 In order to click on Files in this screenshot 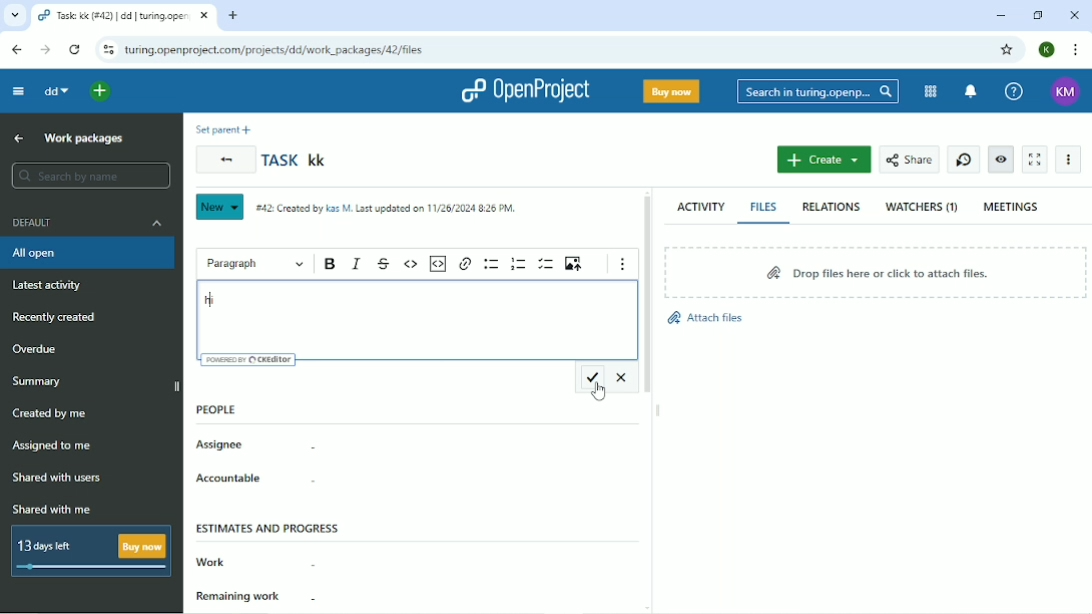, I will do `click(764, 207)`.